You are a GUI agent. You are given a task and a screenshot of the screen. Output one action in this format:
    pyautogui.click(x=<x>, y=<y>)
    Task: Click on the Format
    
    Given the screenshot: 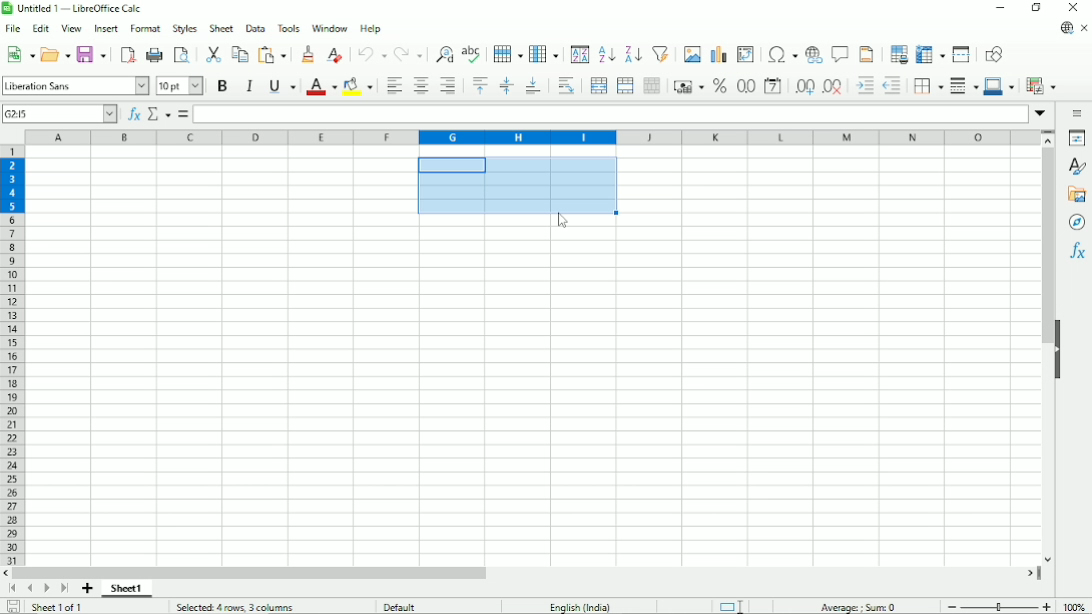 What is the action you would take?
    pyautogui.click(x=145, y=29)
    